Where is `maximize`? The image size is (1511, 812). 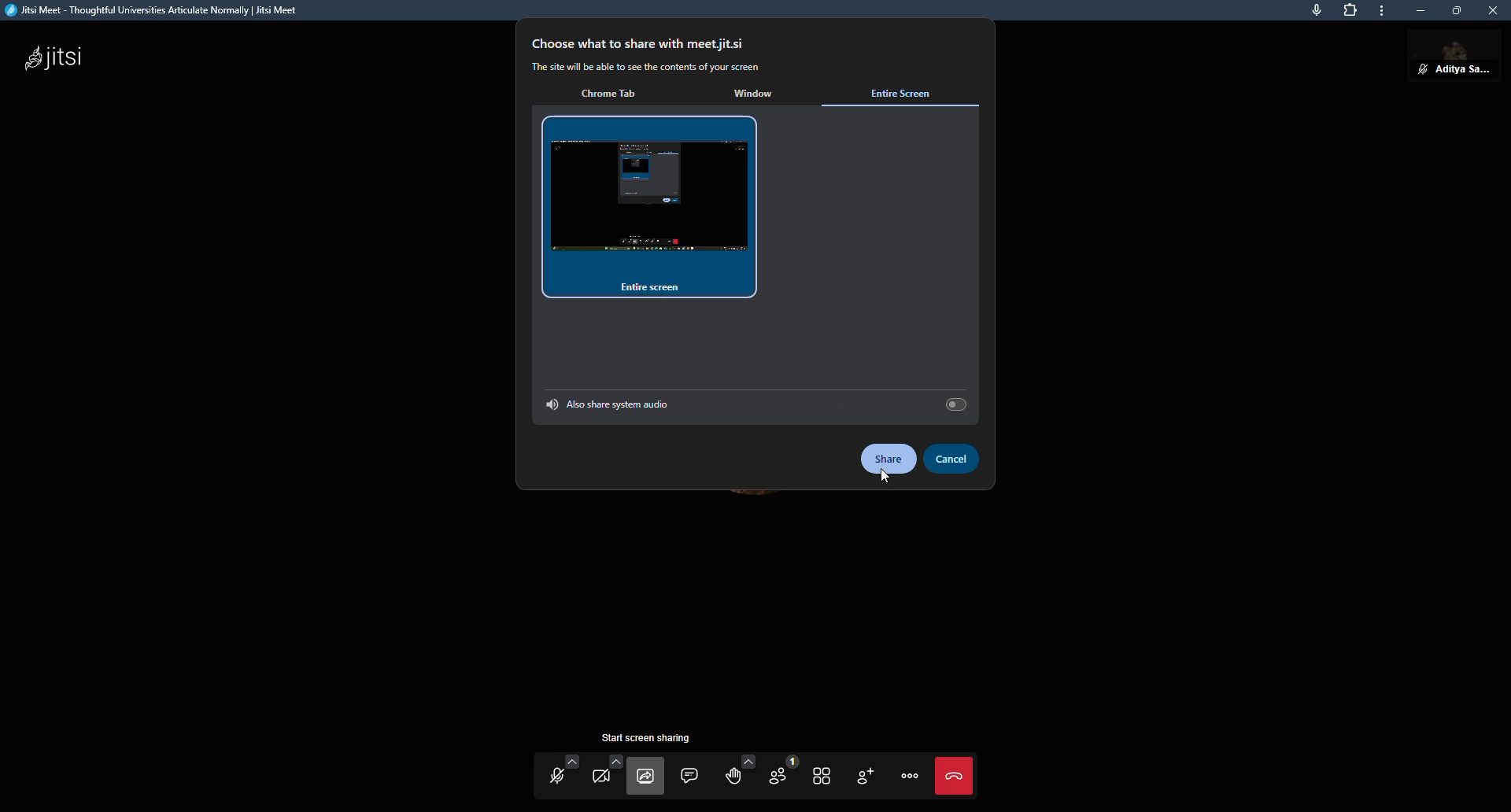 maximize is located at coordinates (1454, 13).